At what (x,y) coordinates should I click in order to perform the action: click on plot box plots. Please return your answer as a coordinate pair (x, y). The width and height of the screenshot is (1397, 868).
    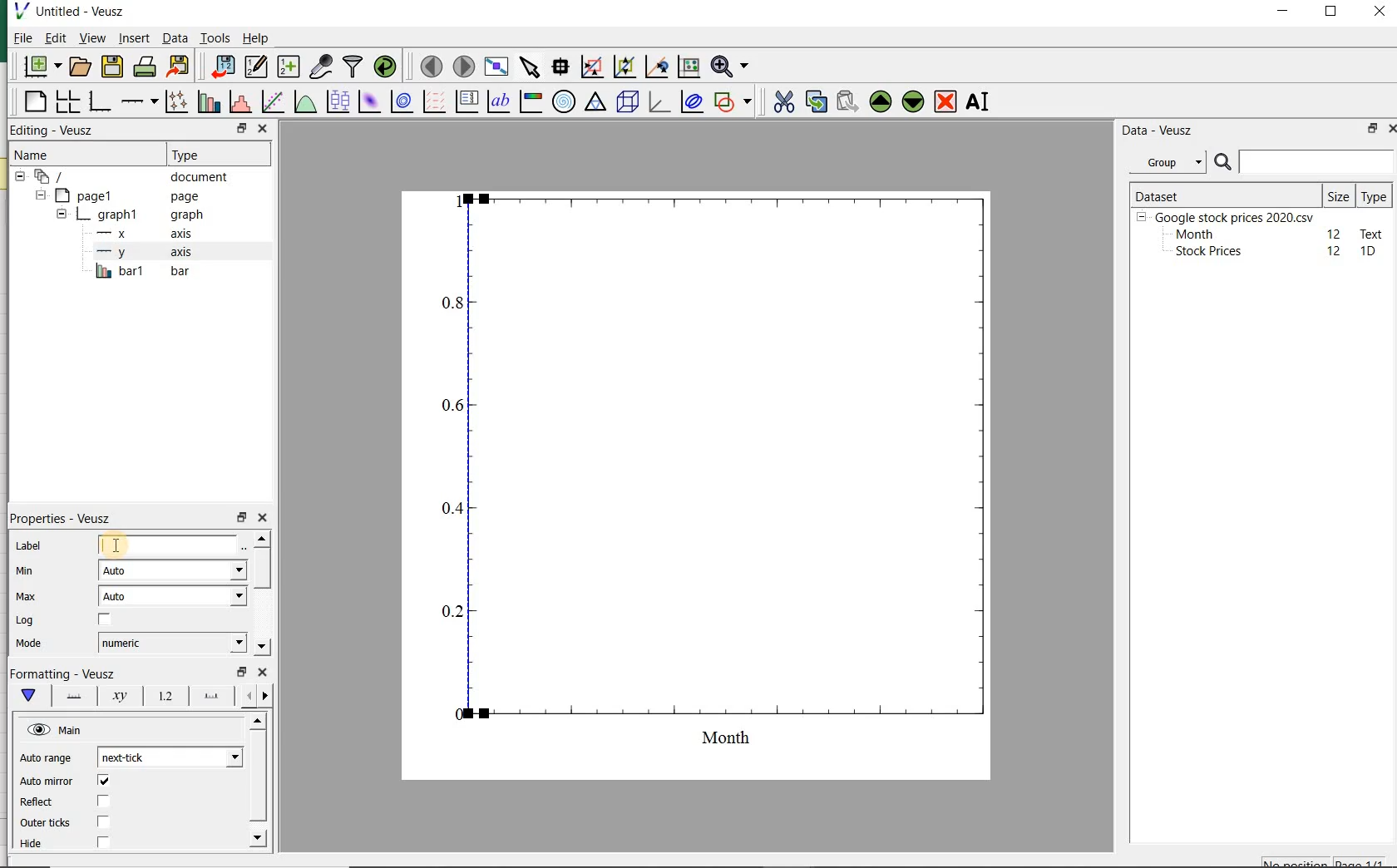
    Looking at the image, I should click on (335, 103).